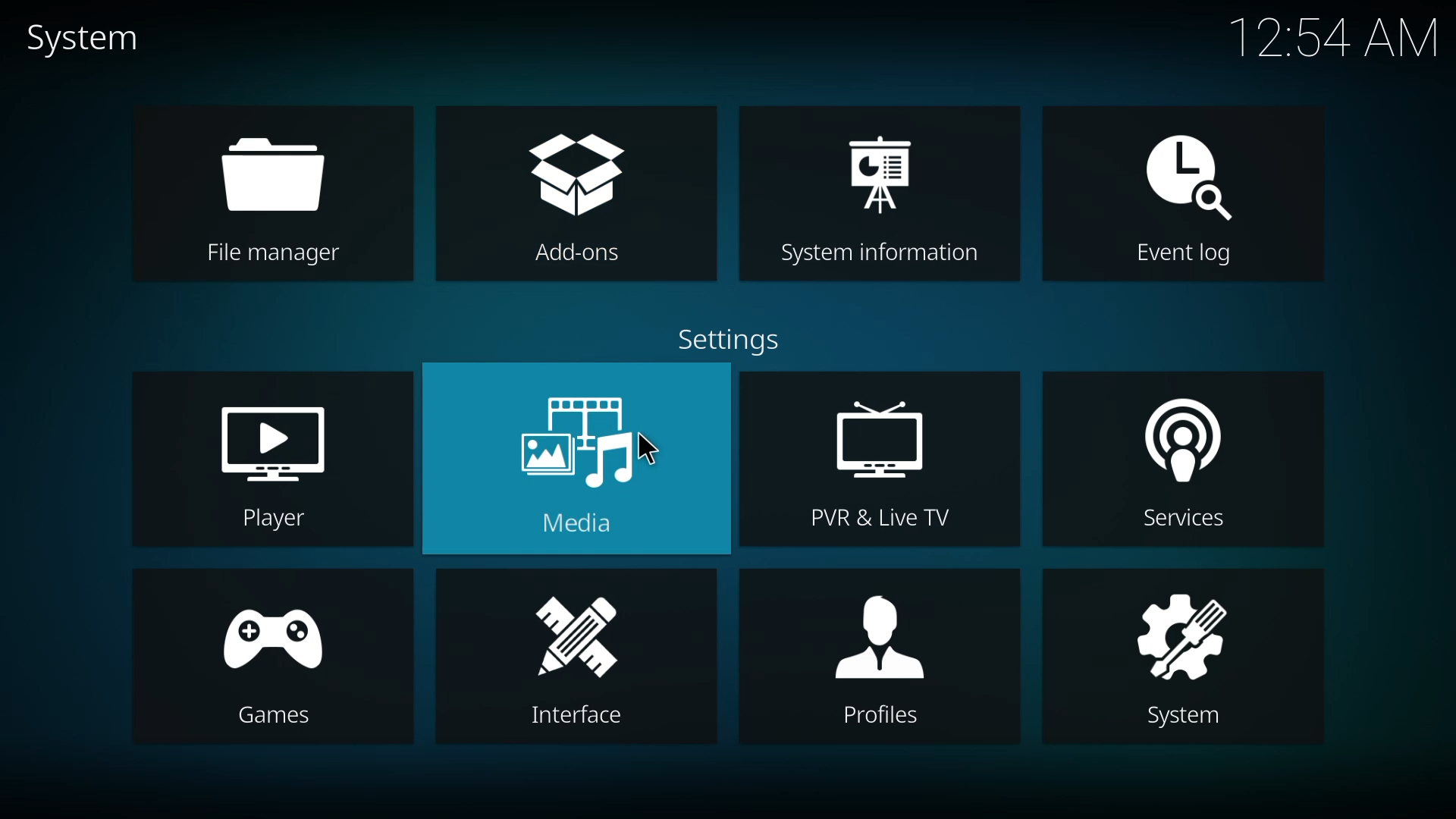 This screenshot has width=1456, height=819. Describe the element at coordinates (723, 344) in the screenshot. I see `settings` at that location.